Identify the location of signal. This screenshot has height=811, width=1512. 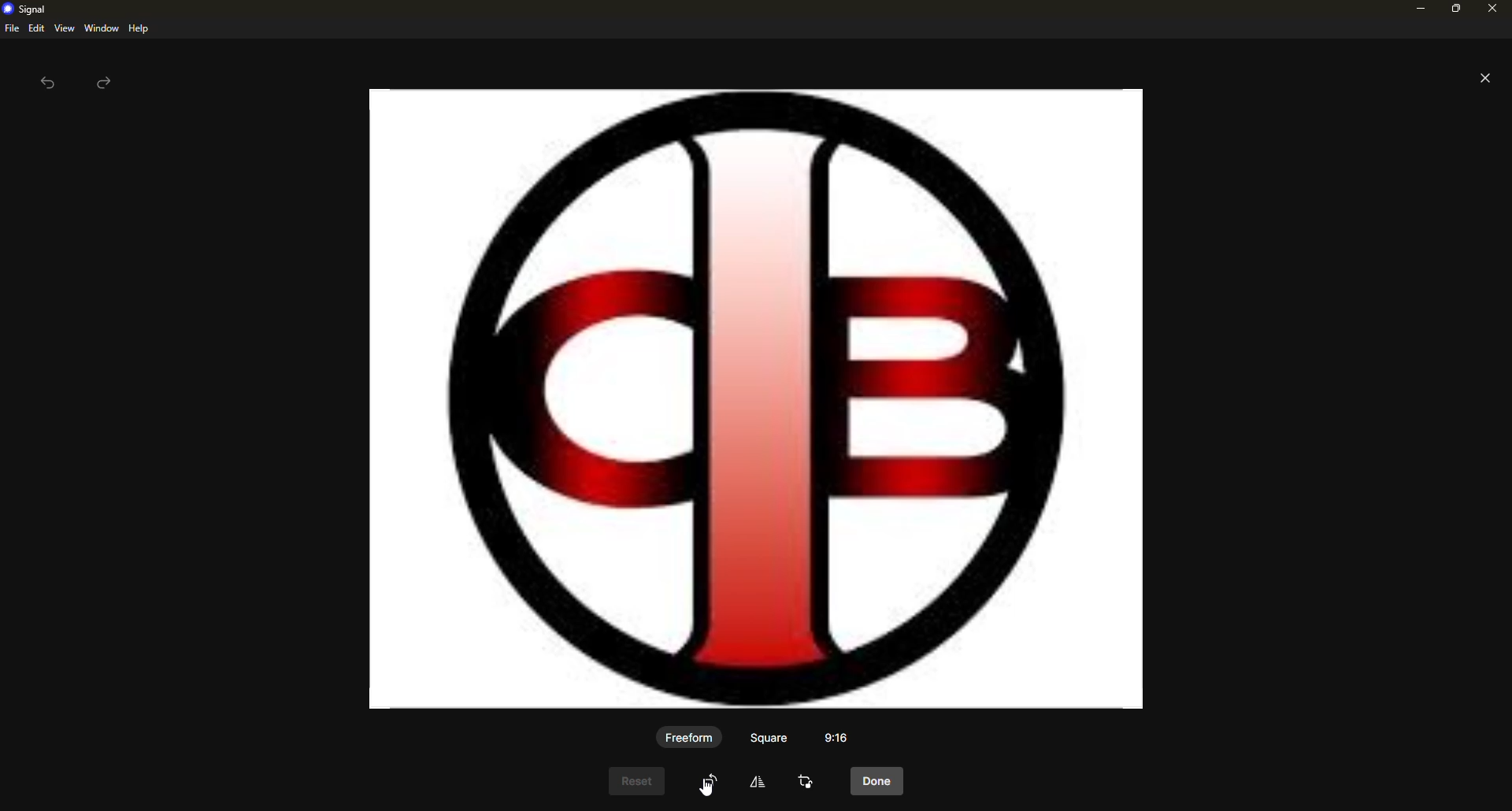
(25, 10).